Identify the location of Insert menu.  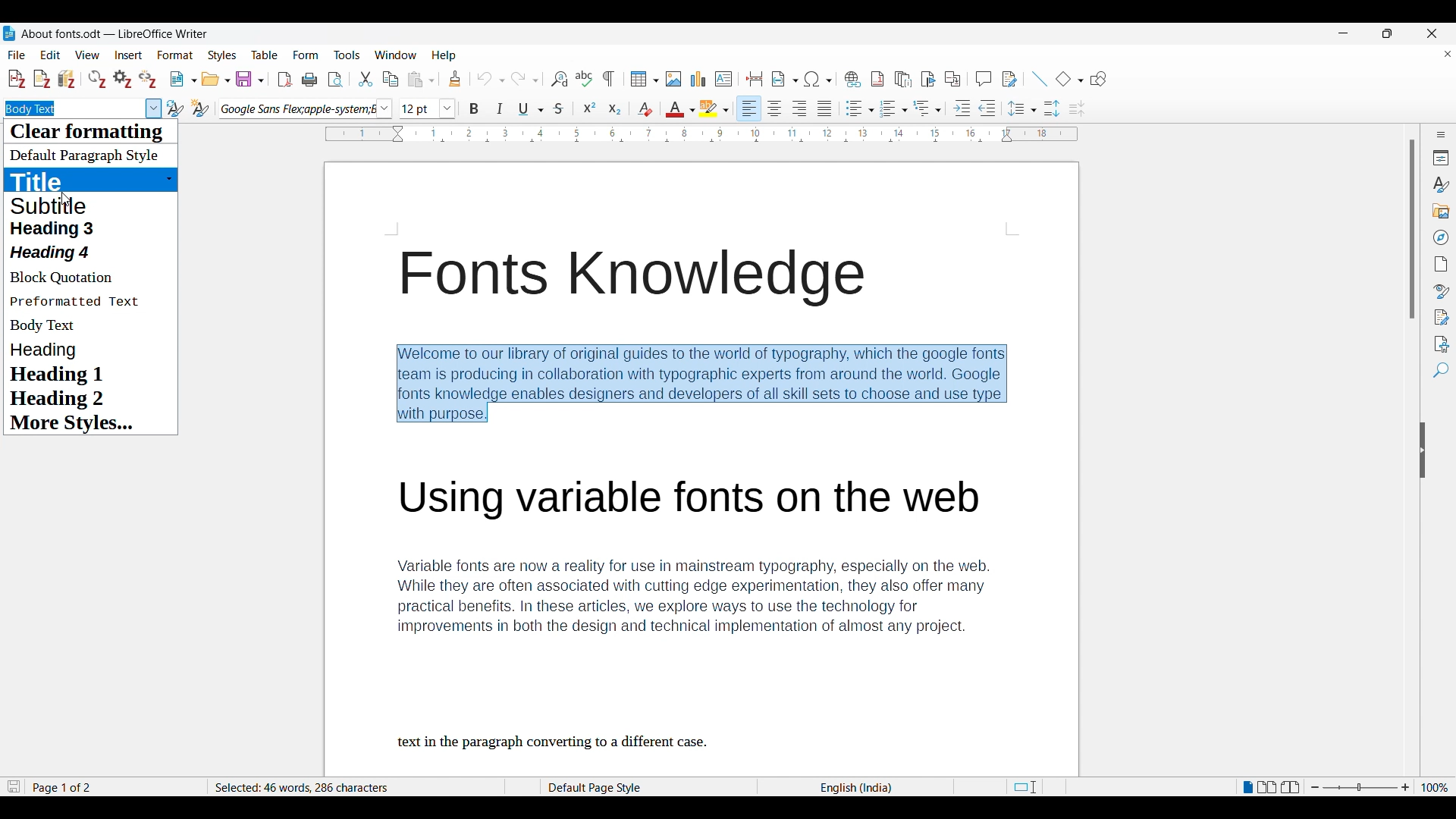
(129, 55).